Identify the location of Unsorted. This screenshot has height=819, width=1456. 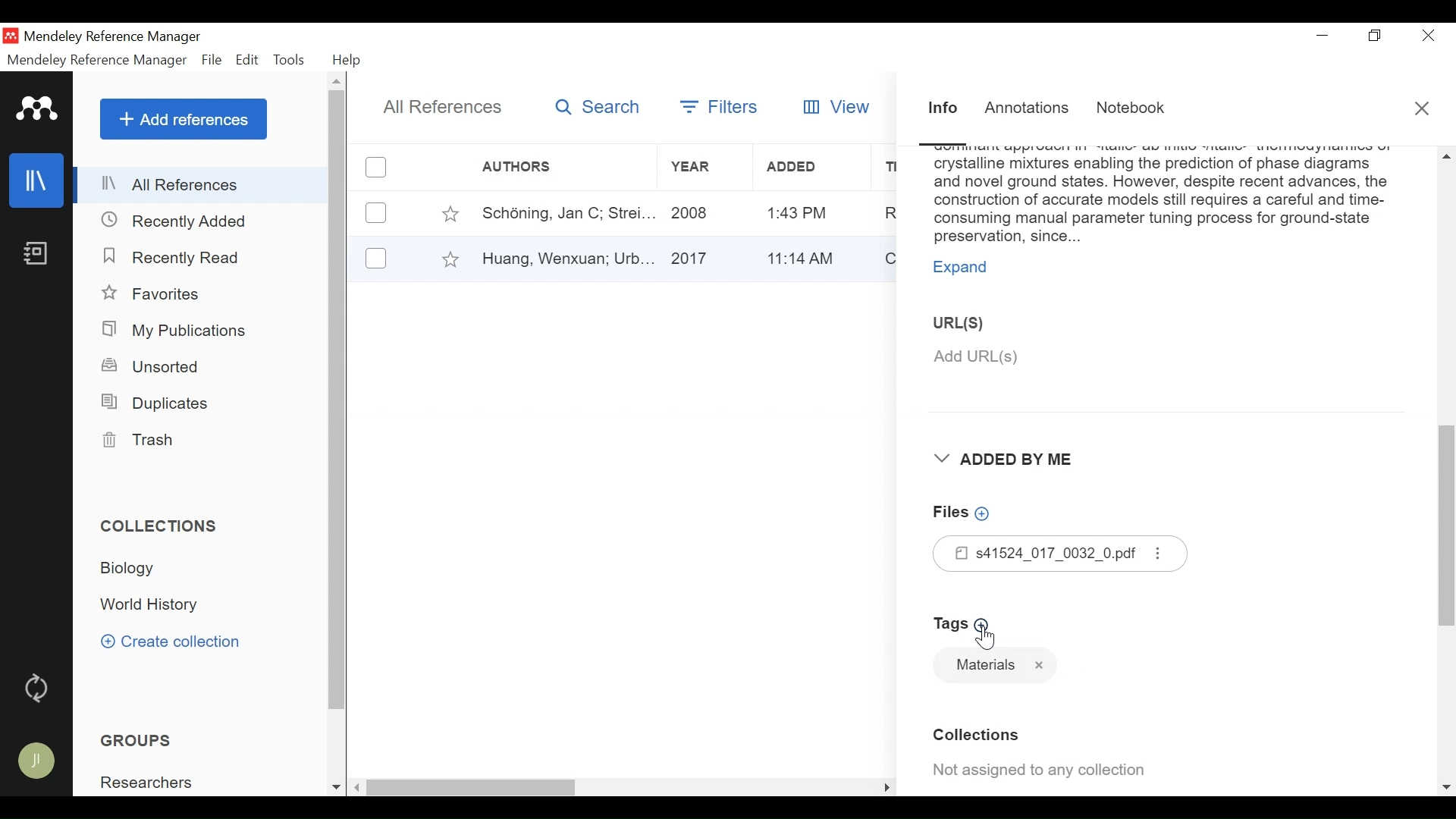
(152, 366).